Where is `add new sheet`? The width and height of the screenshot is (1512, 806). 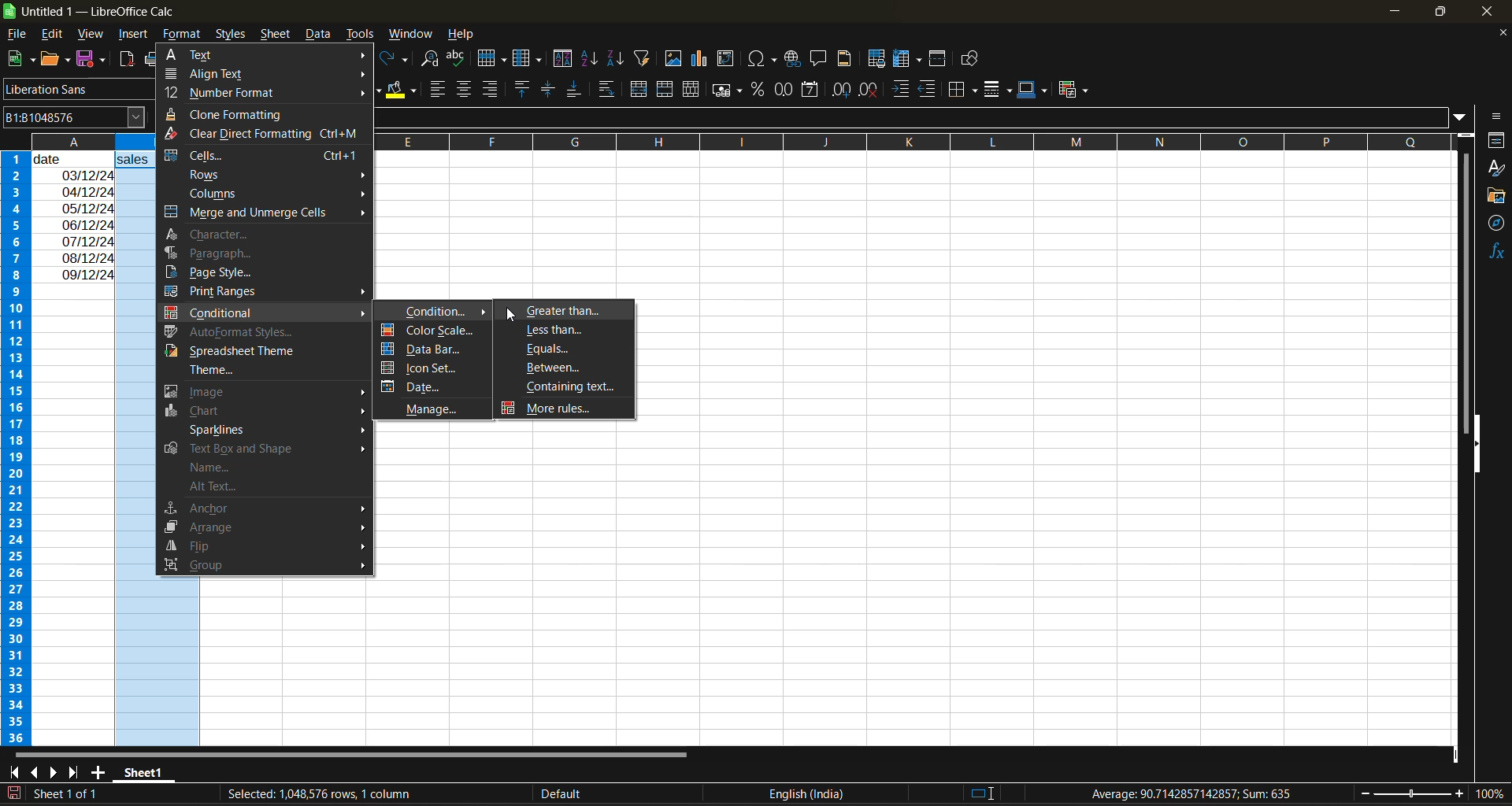
add new sheet is located at coordinates (99, 771).